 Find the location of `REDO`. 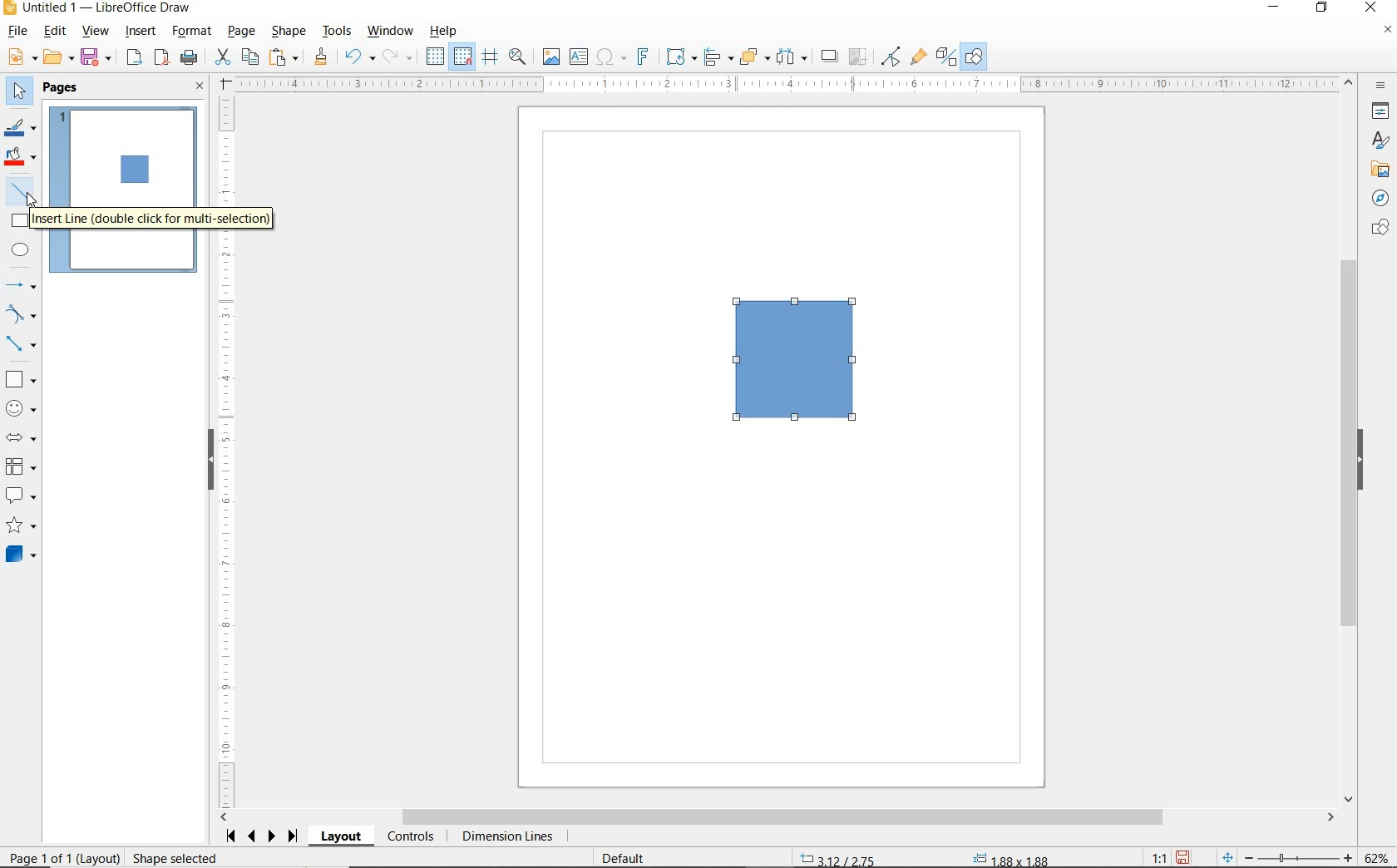

REDO is located at coordinates (402, 57).